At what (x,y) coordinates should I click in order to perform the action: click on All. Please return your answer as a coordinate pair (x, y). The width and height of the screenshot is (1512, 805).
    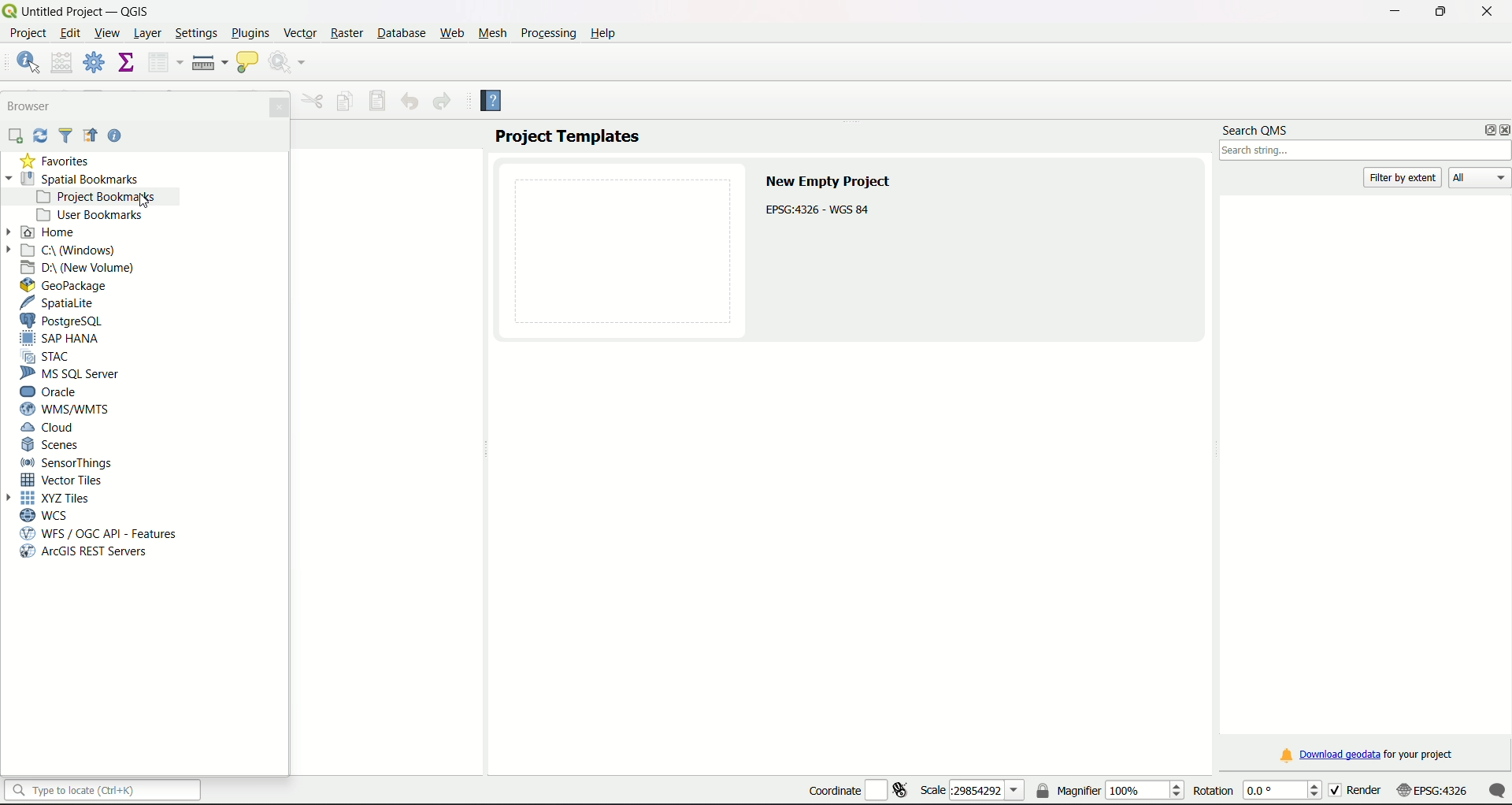
    Looking at the image, I should click on (1480, 177).